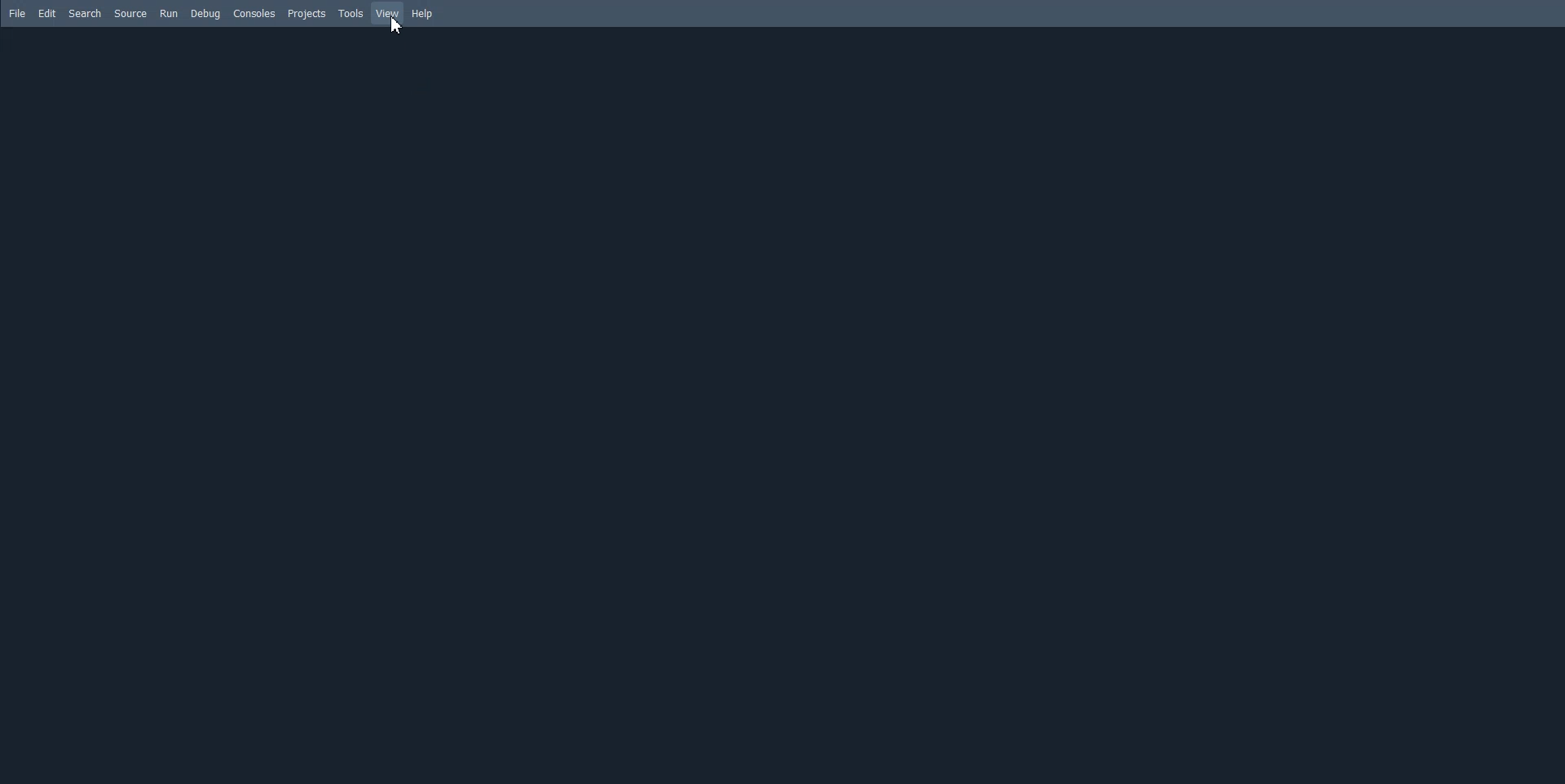  I want to click on Source, so click(130, 14).